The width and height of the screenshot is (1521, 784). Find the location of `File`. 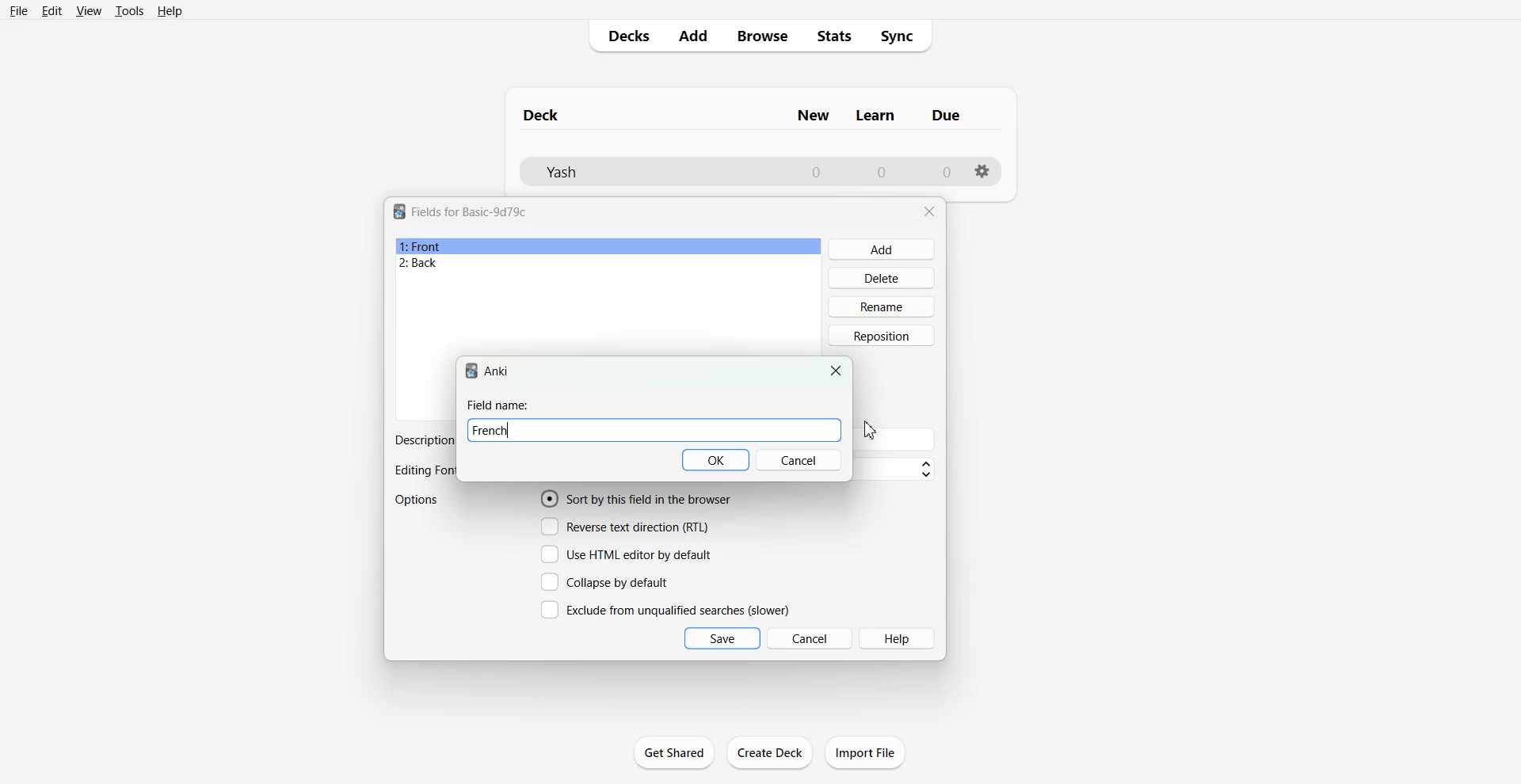

File is located at coordinates (17, 10).